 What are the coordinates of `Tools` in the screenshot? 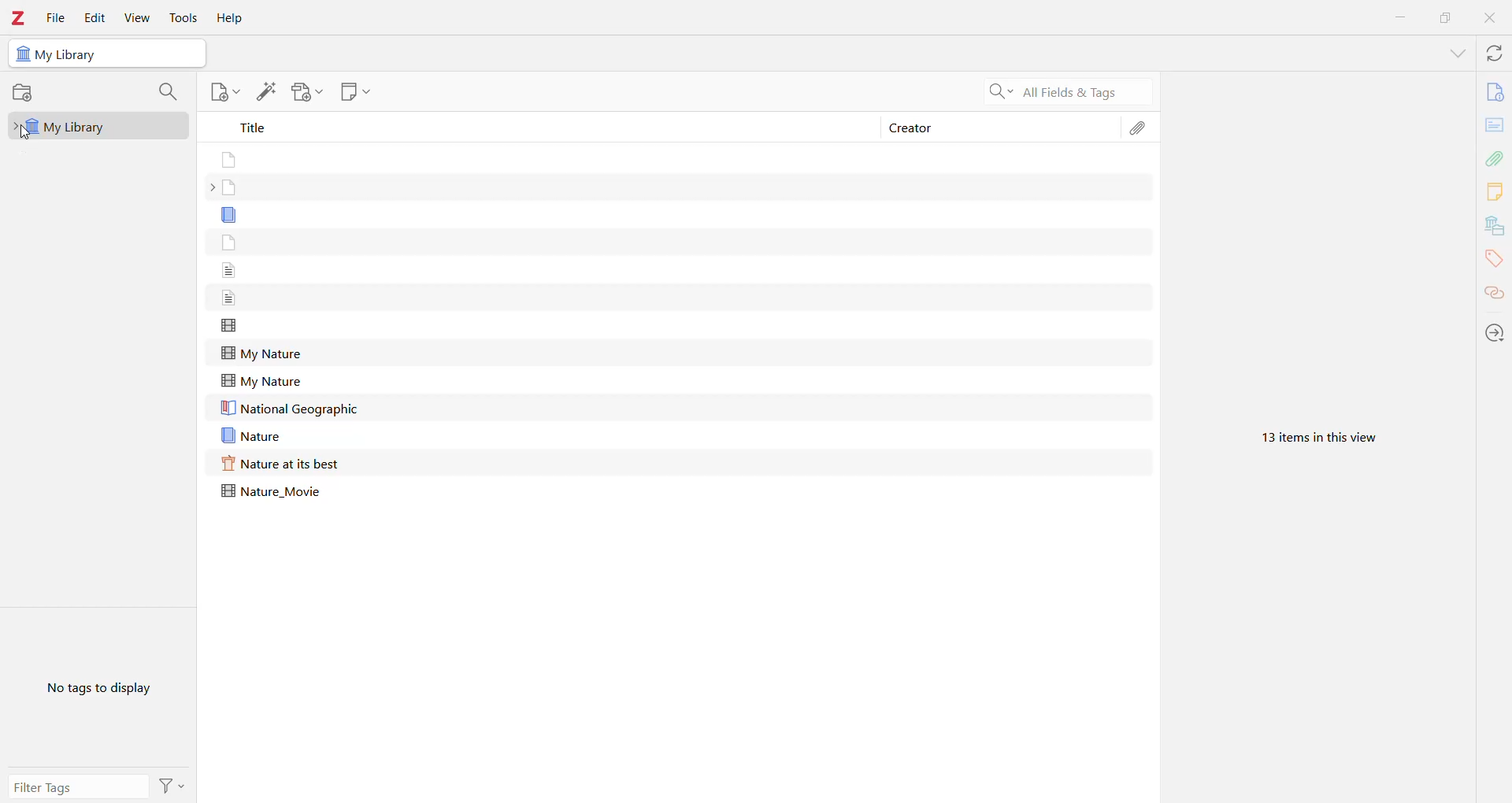 It's located at (185, 18).